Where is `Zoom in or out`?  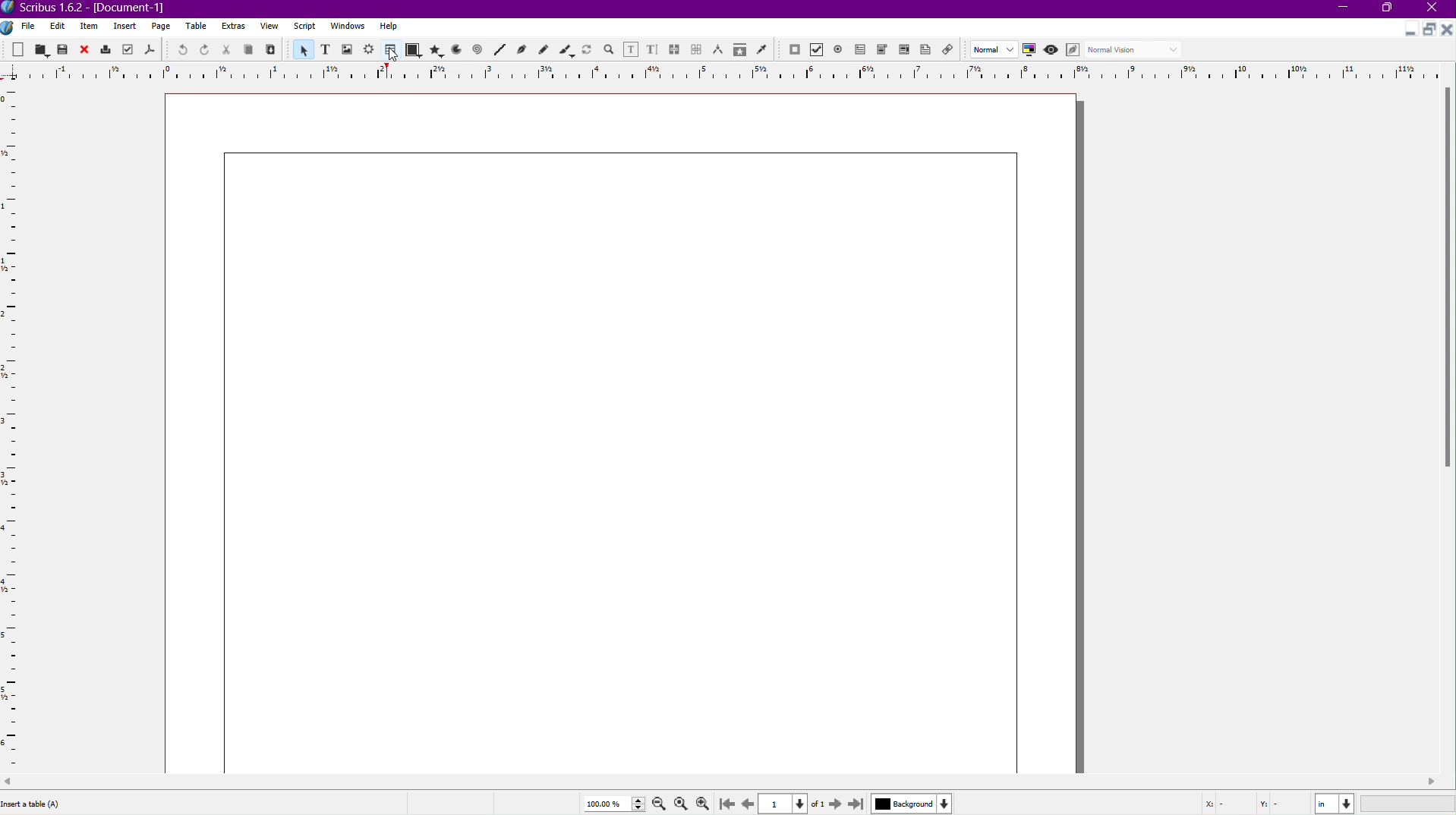 Zoom in or out is located at coordinates (609, 49).